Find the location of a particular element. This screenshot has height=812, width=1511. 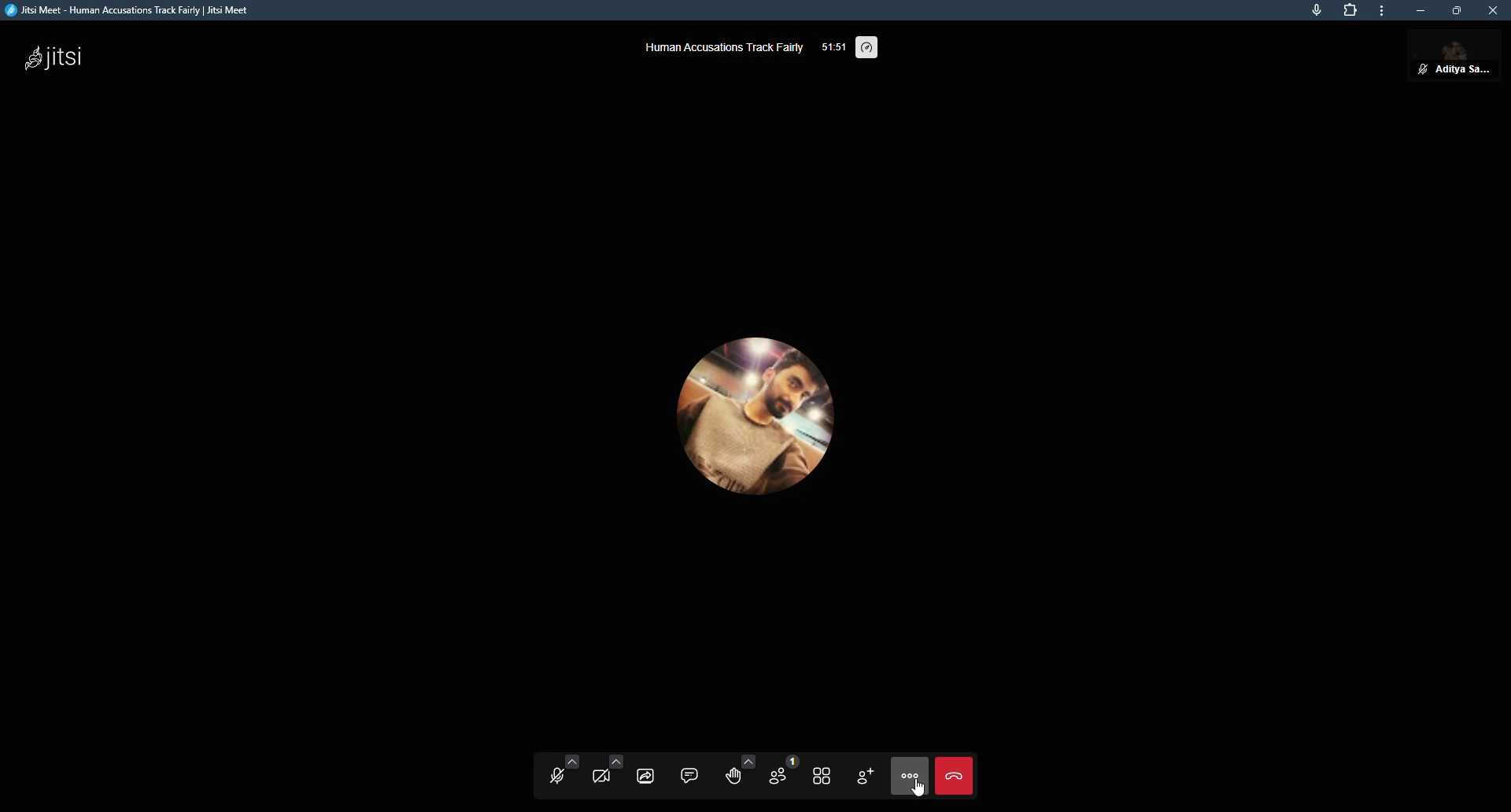

profile is located at coordinates (761, 411).